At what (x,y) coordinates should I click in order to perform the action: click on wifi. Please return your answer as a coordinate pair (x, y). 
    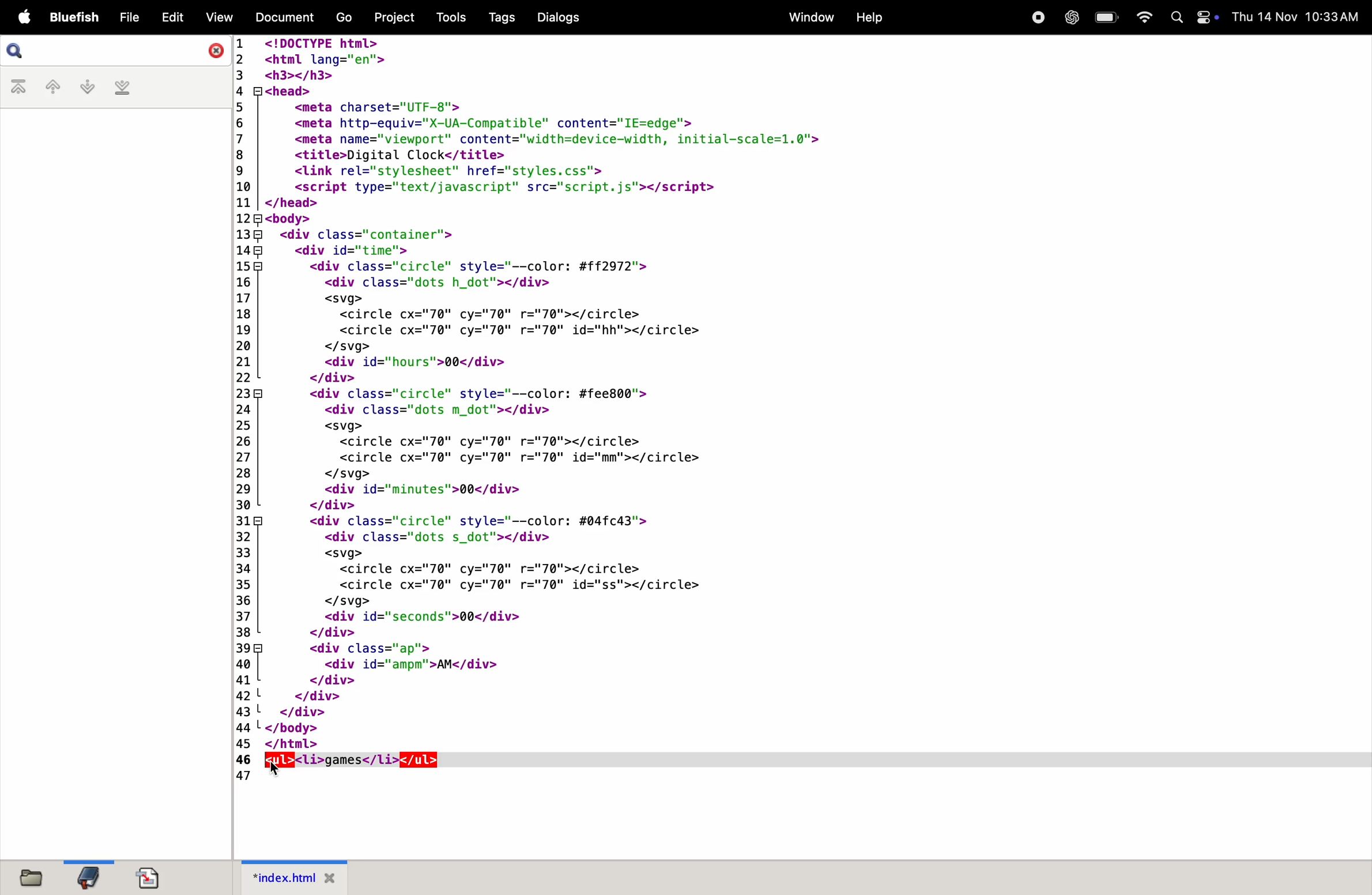
    Looking at the image, I should click on (1143, 16).